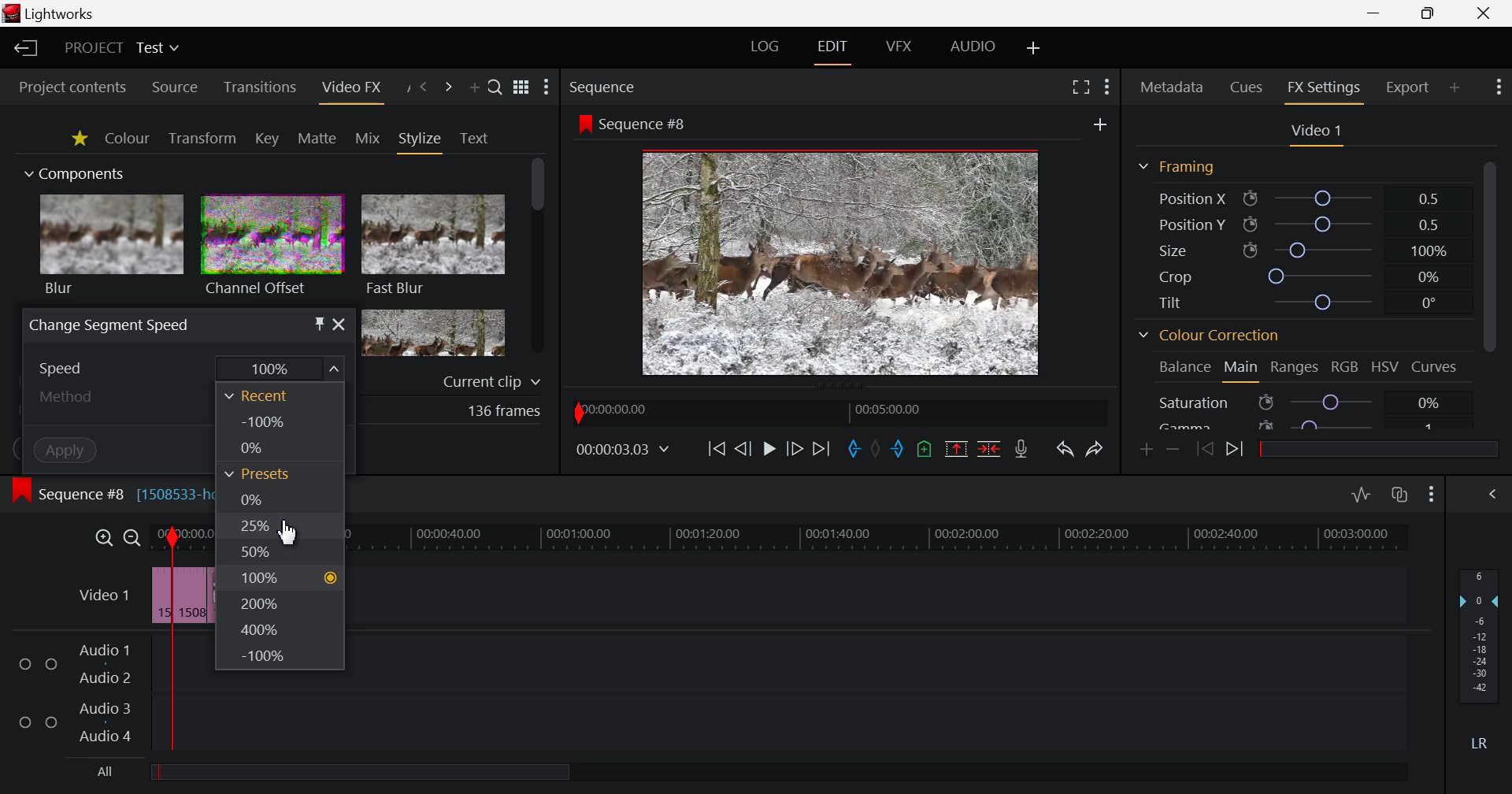 The image size is (1512, 794). I want to click on LOG Layout, so click(765, 47).